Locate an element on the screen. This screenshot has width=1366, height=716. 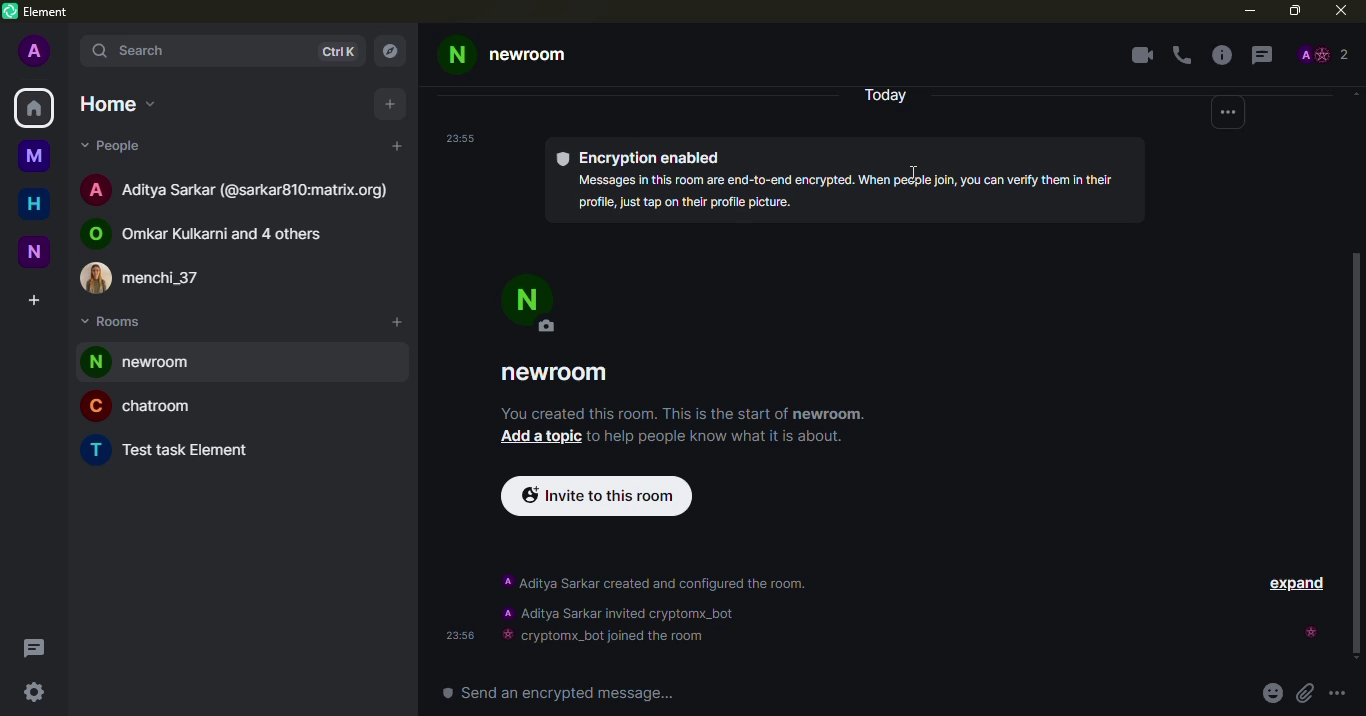
more is located at coordinates (1227, 115).